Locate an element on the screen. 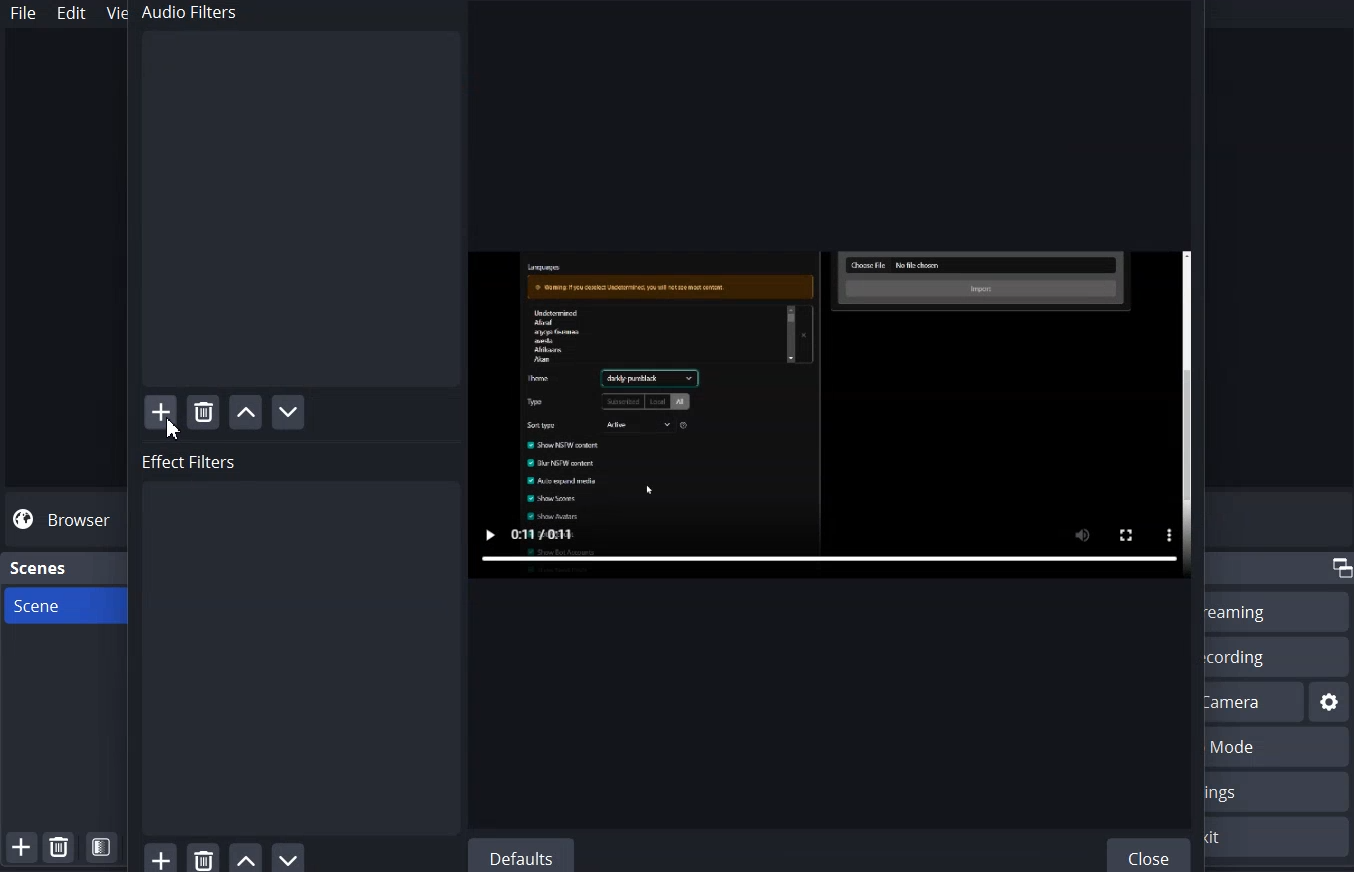 This screenshot has width=1354, height=872. Start Virtual Camera is located at coordinates (1255, 701).